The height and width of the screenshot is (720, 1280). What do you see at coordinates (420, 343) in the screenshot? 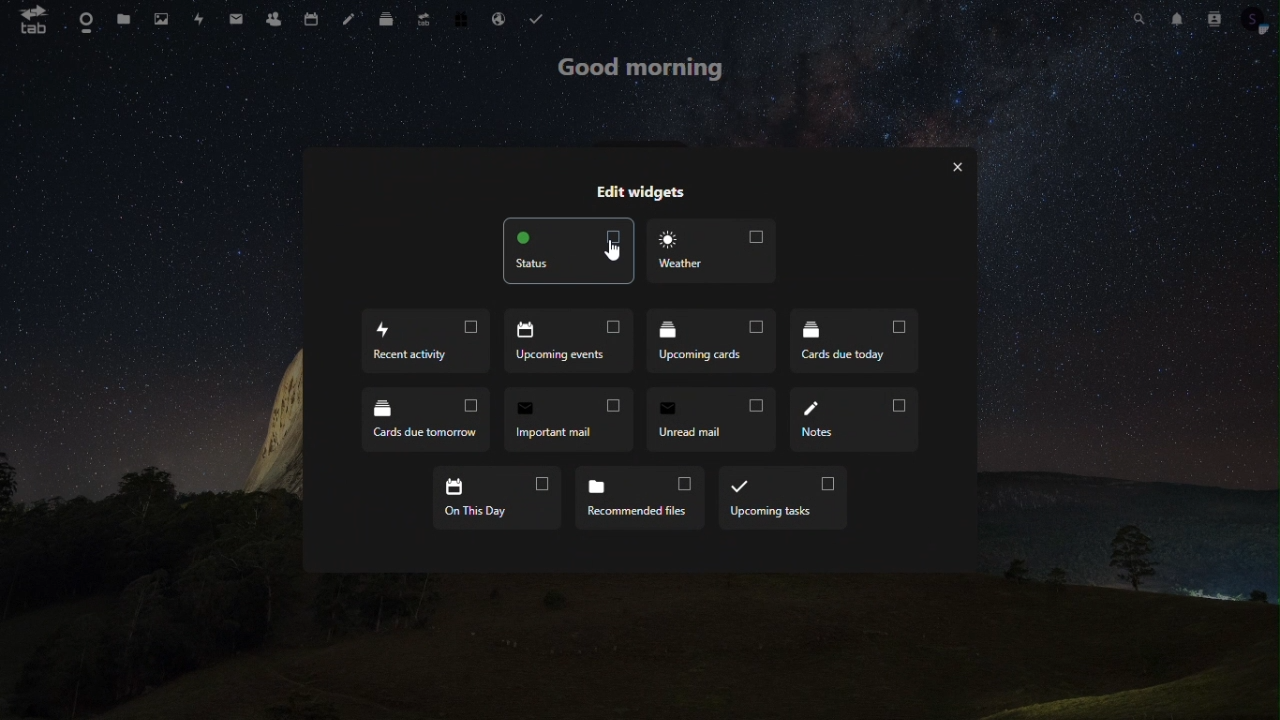
I see `recent acticity` at bounding box center [420, 343].